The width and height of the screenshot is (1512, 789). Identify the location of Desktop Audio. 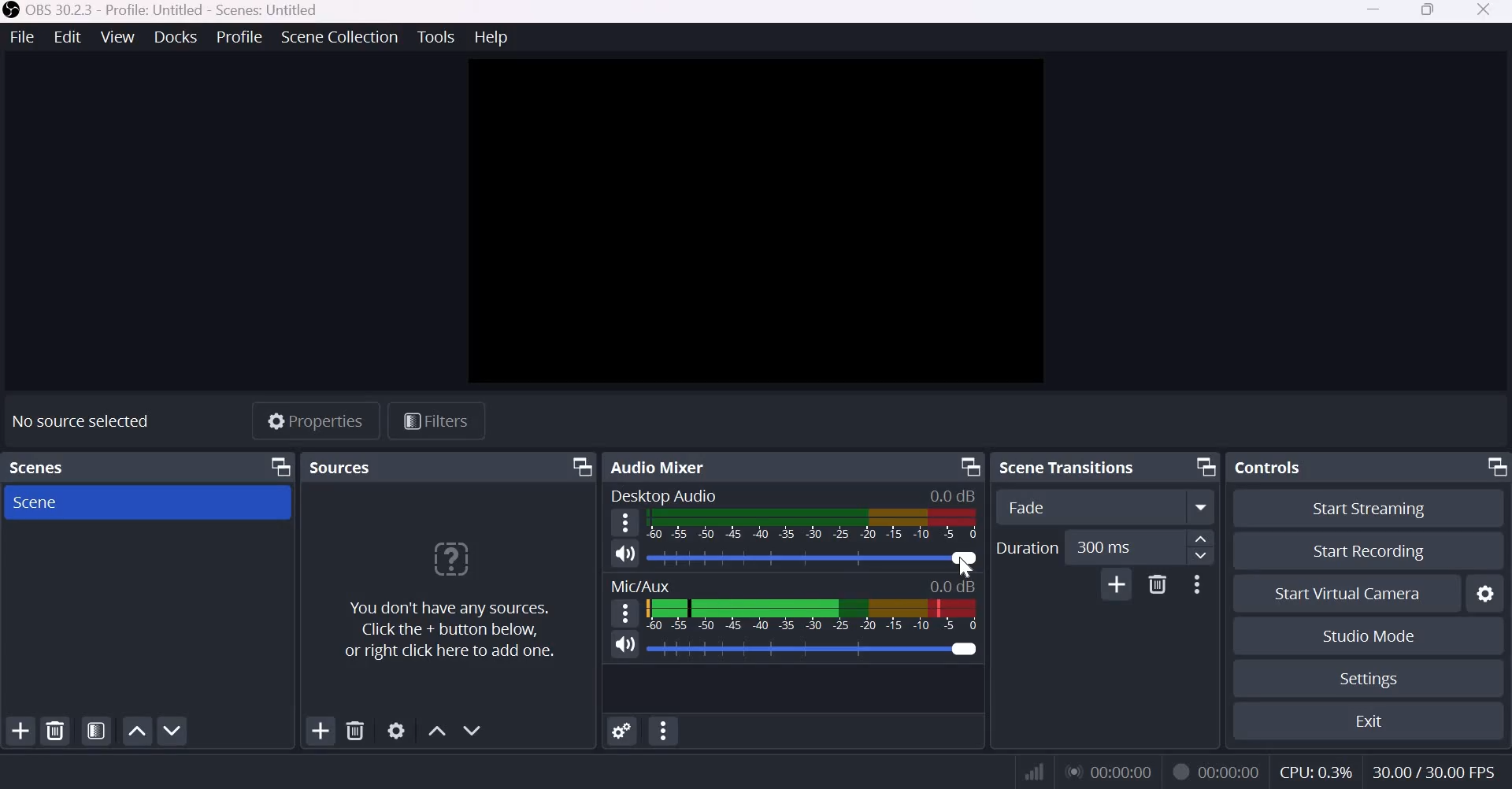
(665, 497).